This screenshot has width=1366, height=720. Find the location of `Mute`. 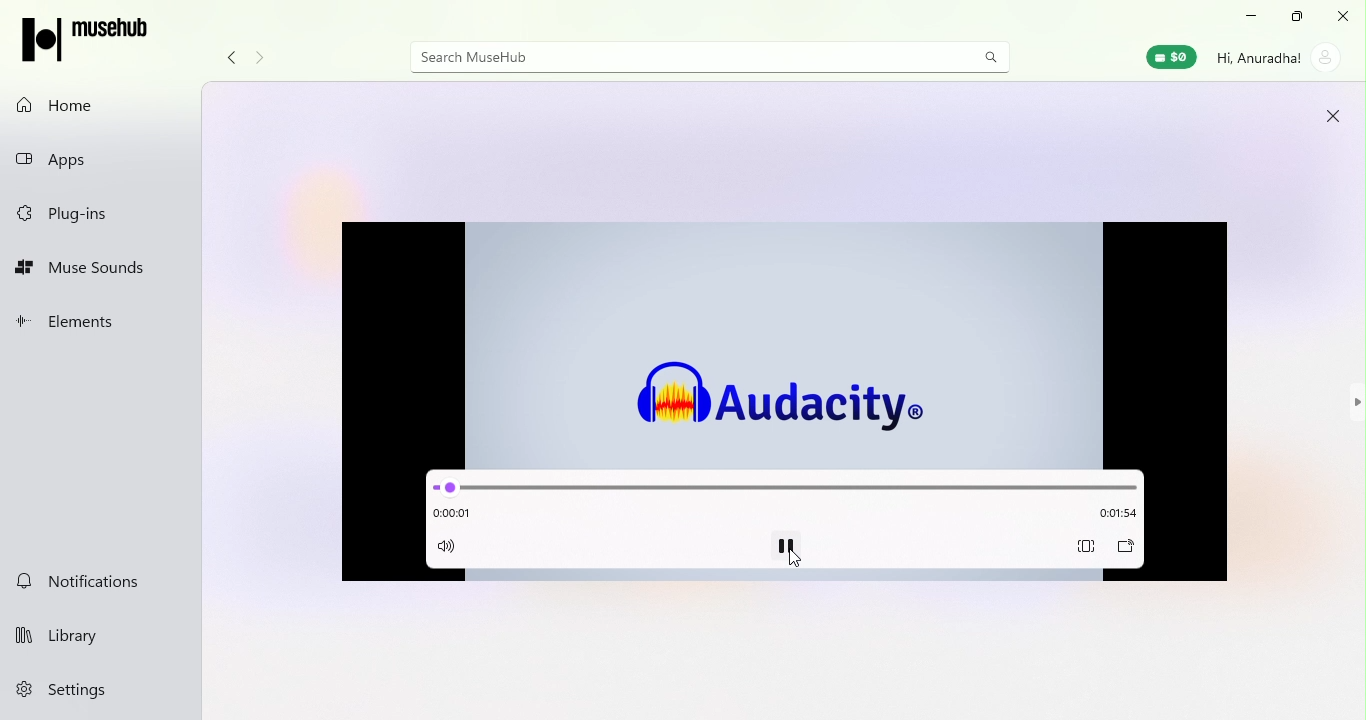

Mute is located at coordinates (454, 548).